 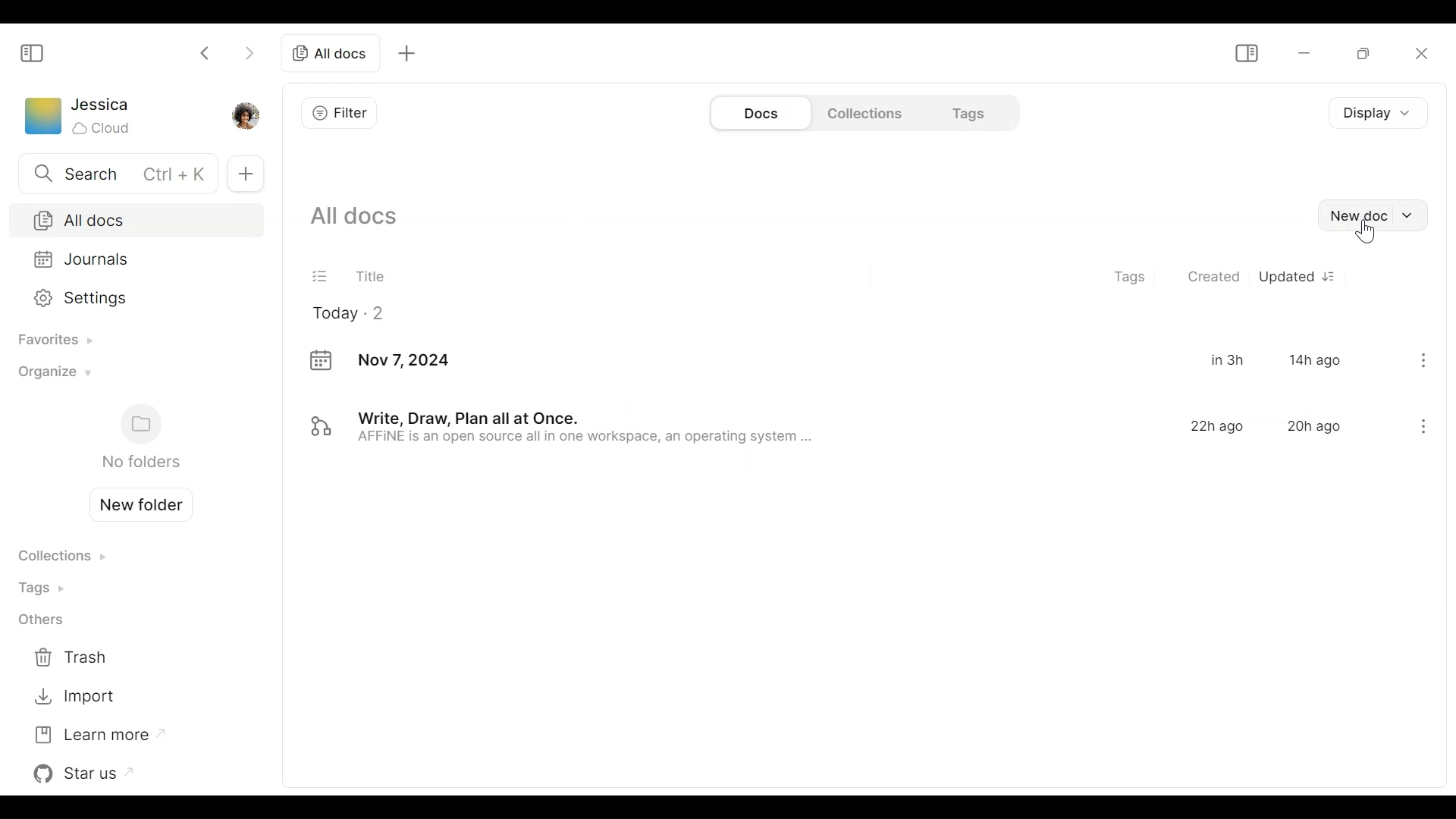 What do you see at coordinates (130, 259) in the screenshot?
I see `Journals` at bounding box center [130, 259].